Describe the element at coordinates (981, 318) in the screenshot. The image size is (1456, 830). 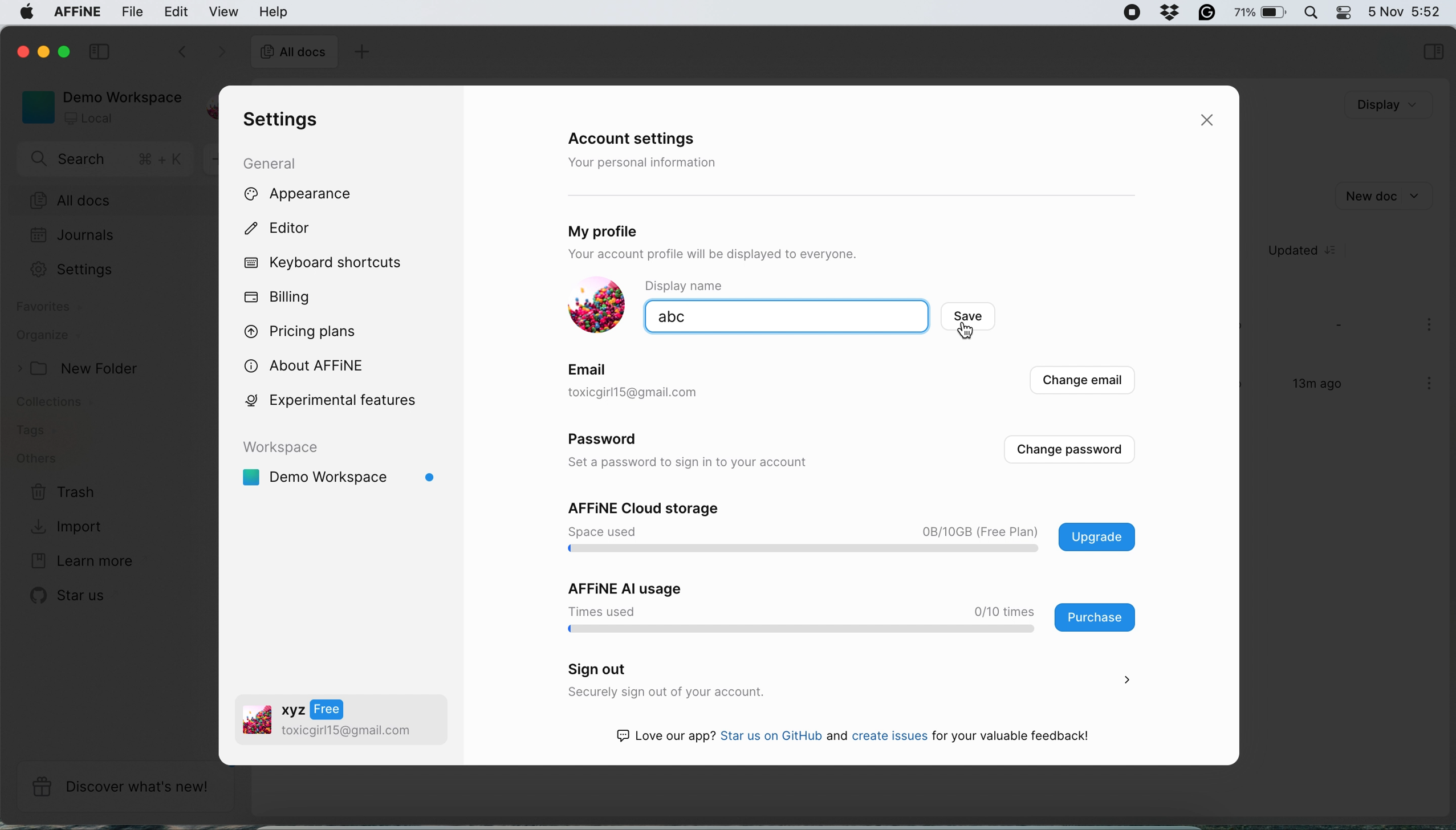
I see `Save` at that location.